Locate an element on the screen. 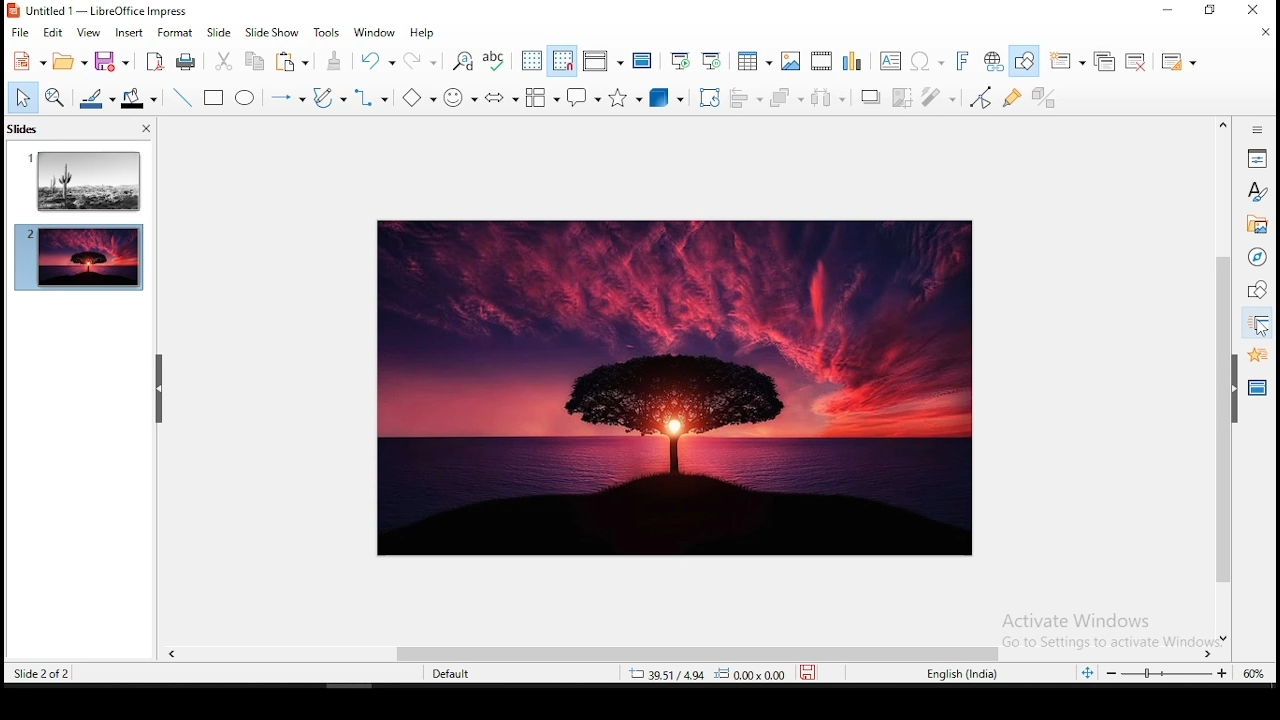 This screenshot has height=720, width=1280. rectangle is located at coordinates (216, 98).